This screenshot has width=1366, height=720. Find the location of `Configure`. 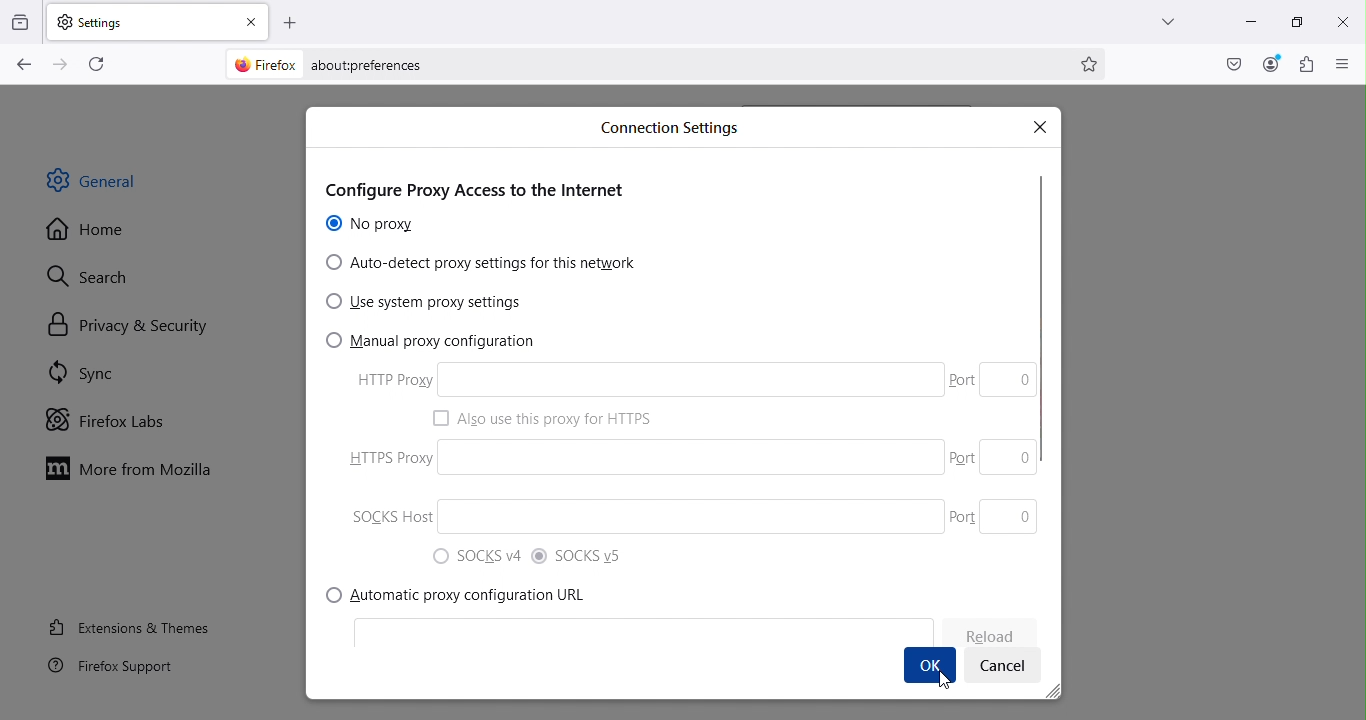

Configure is located at coordinates (487, 184).